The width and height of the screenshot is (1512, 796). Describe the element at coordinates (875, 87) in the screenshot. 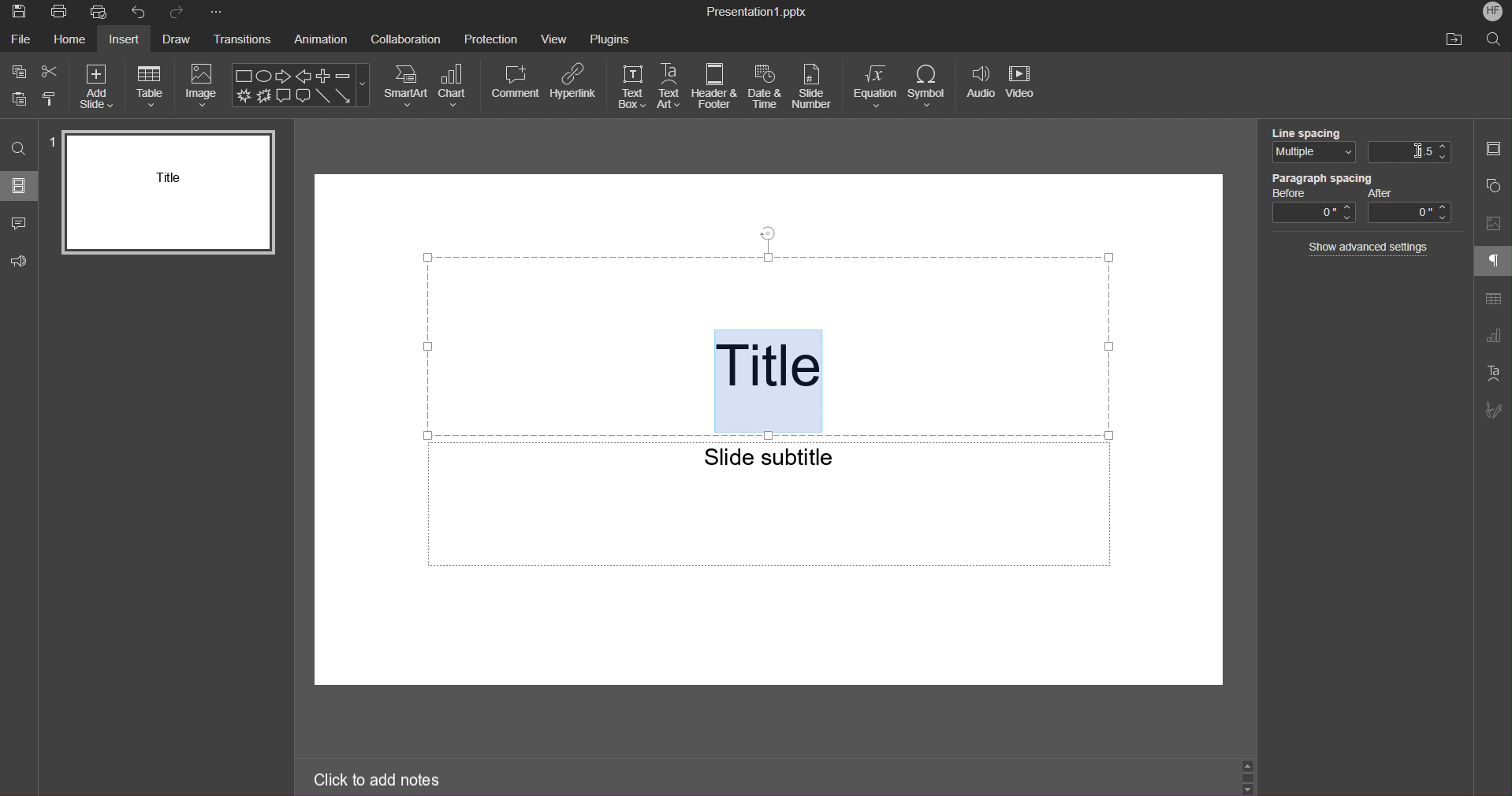

I see `Equation` at that location.